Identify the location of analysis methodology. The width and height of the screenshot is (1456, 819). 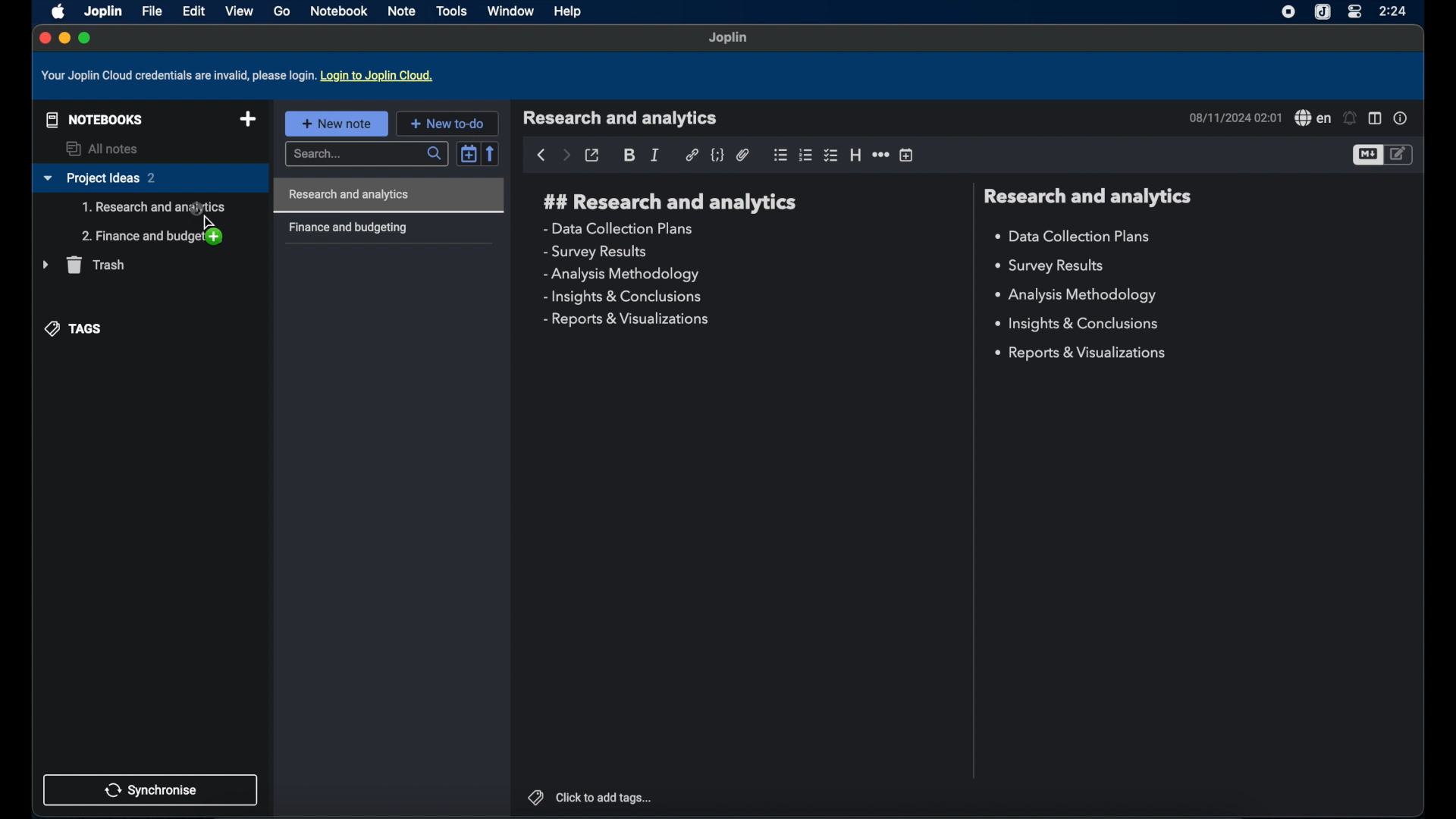
(620, 275).